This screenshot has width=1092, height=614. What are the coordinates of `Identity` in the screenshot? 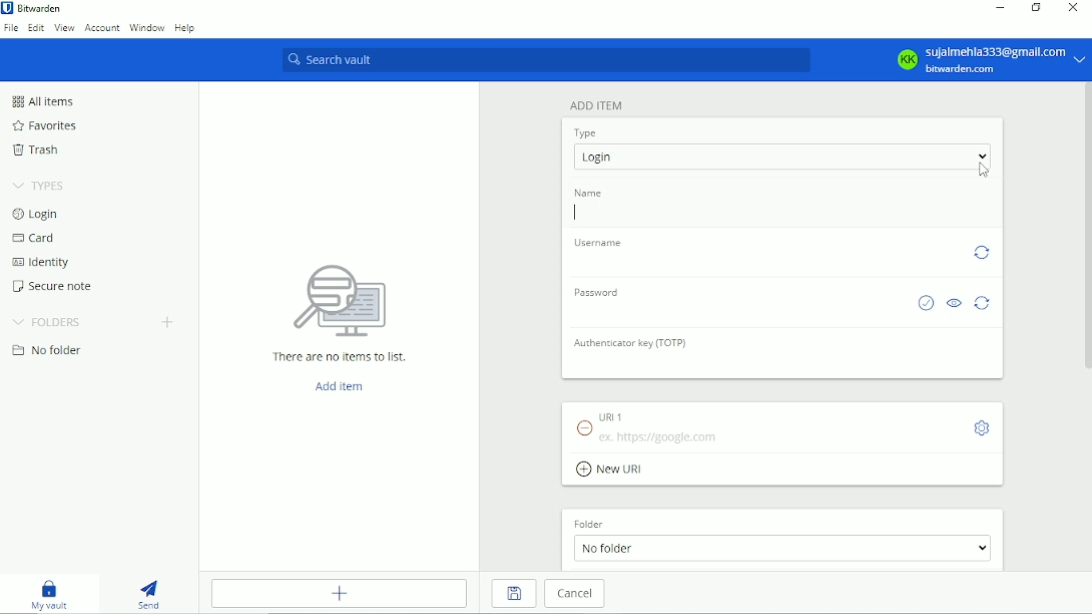 It's located at (40, 263).